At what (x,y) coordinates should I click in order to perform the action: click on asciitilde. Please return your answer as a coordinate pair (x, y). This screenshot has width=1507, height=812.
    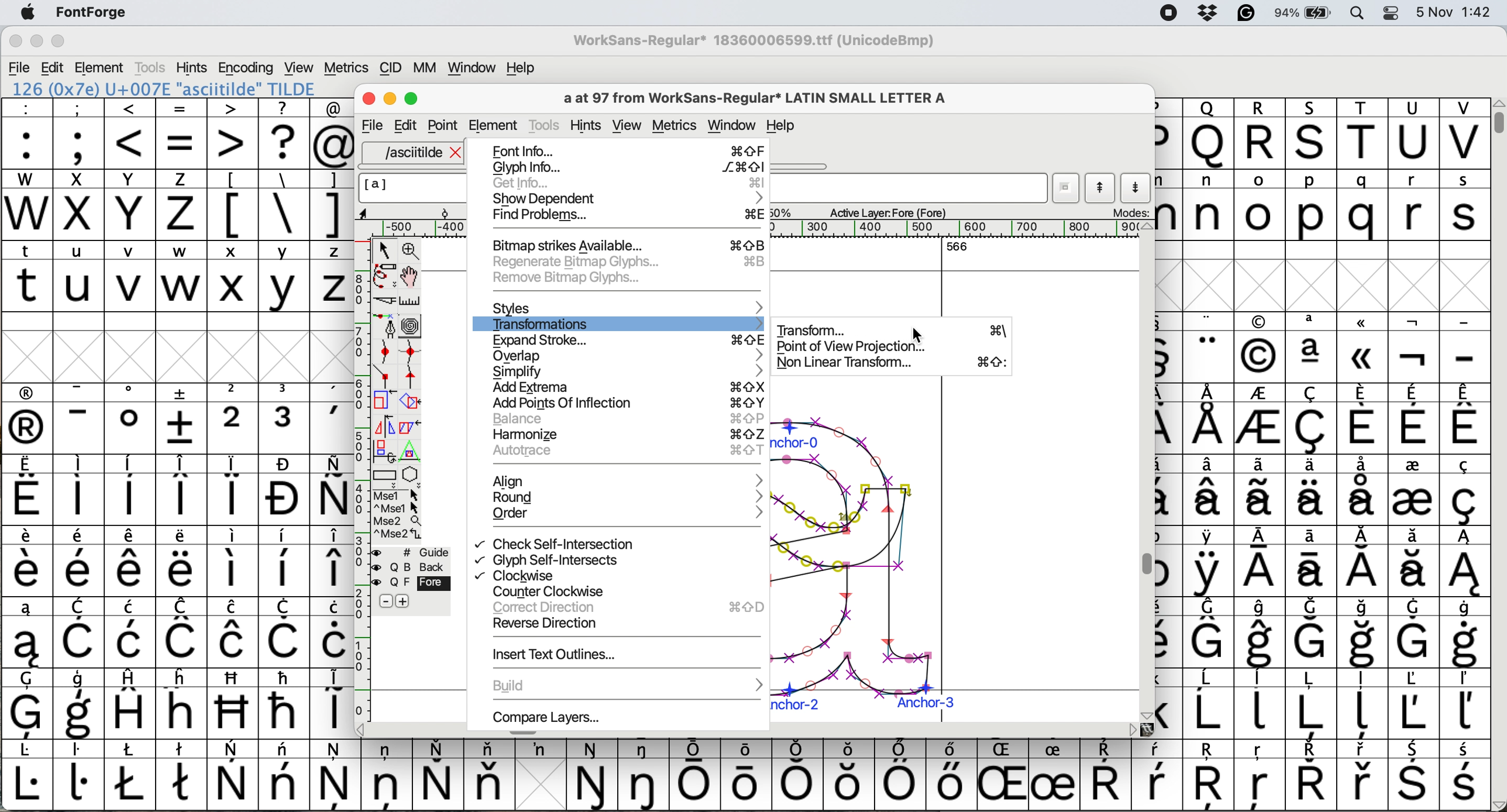
    Looking at the image, I should click on (421, 153).